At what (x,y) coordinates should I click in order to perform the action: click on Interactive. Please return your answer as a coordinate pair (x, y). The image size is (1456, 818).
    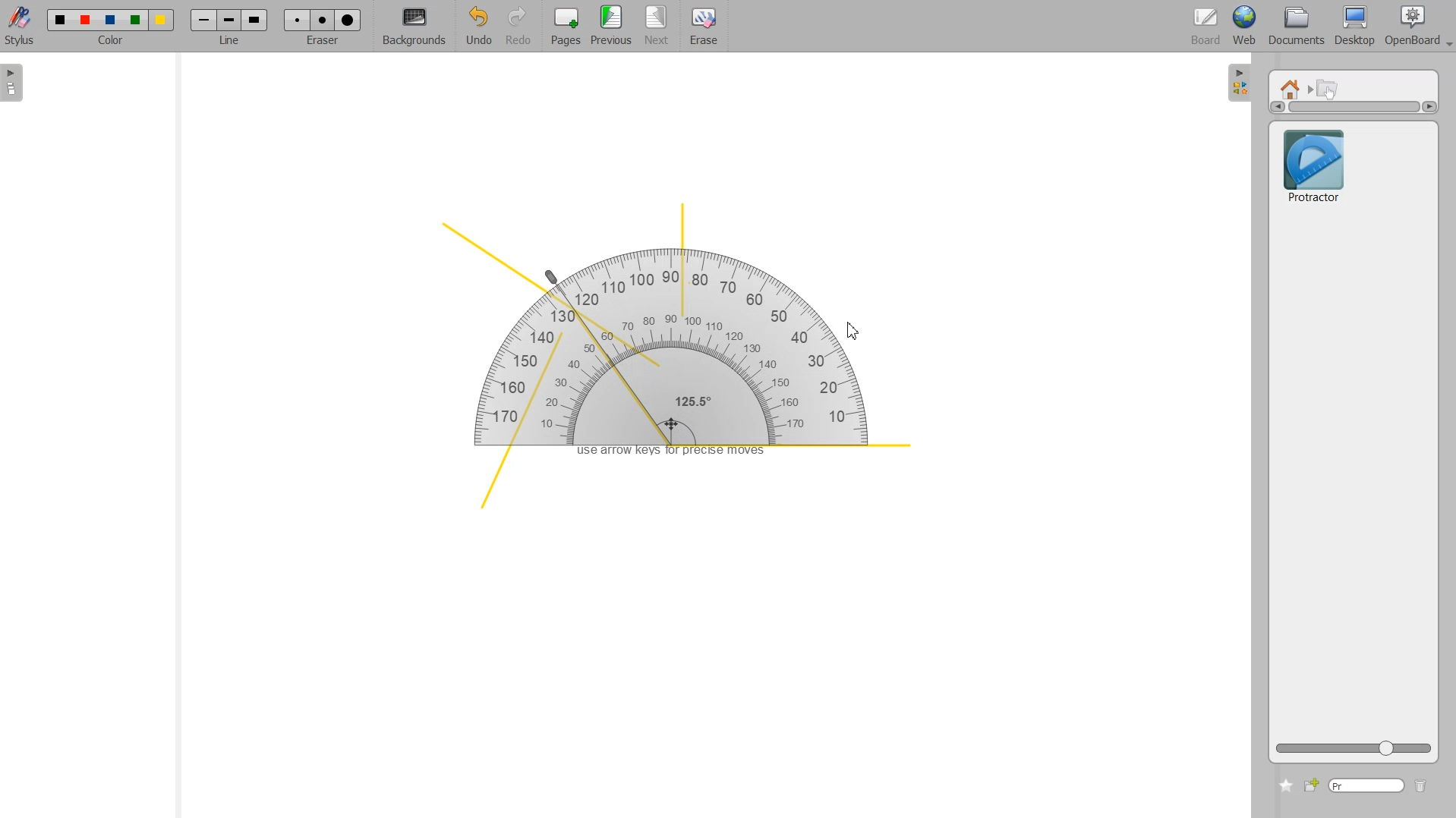
    Looking at the image, I should click on (1328, 88).